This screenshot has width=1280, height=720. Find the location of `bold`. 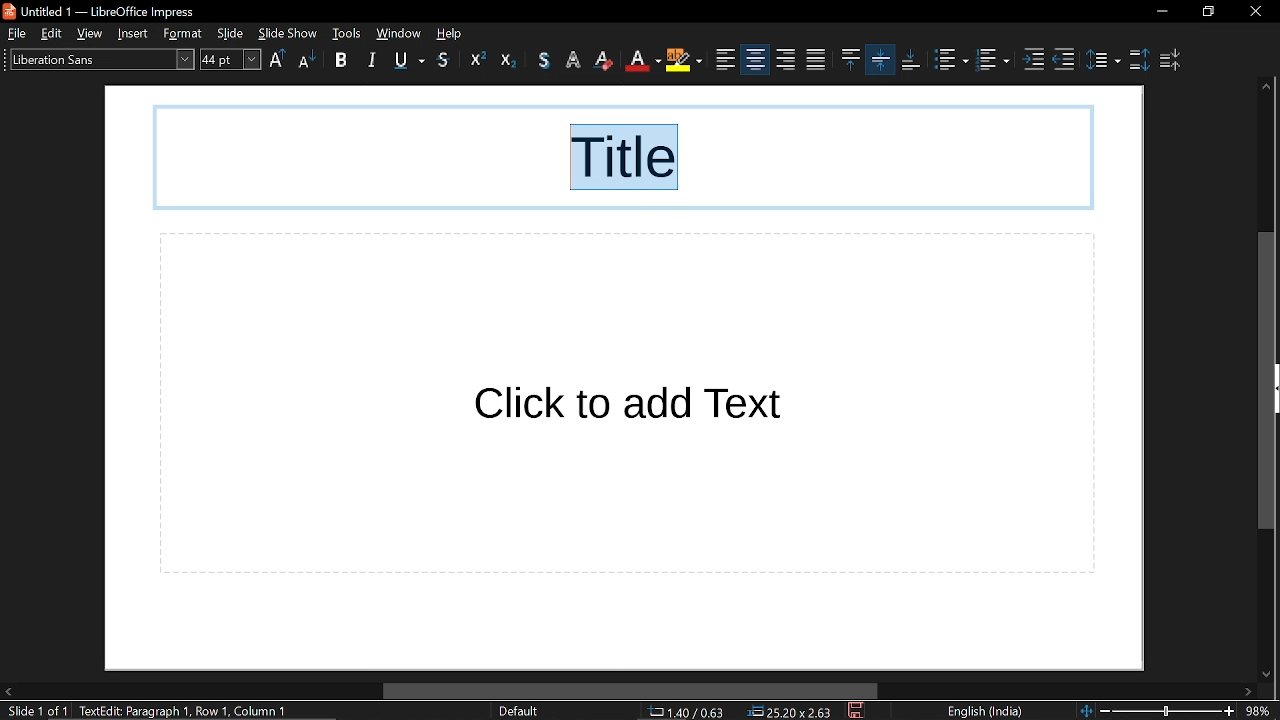

bold is located at coordinates (341, 62).